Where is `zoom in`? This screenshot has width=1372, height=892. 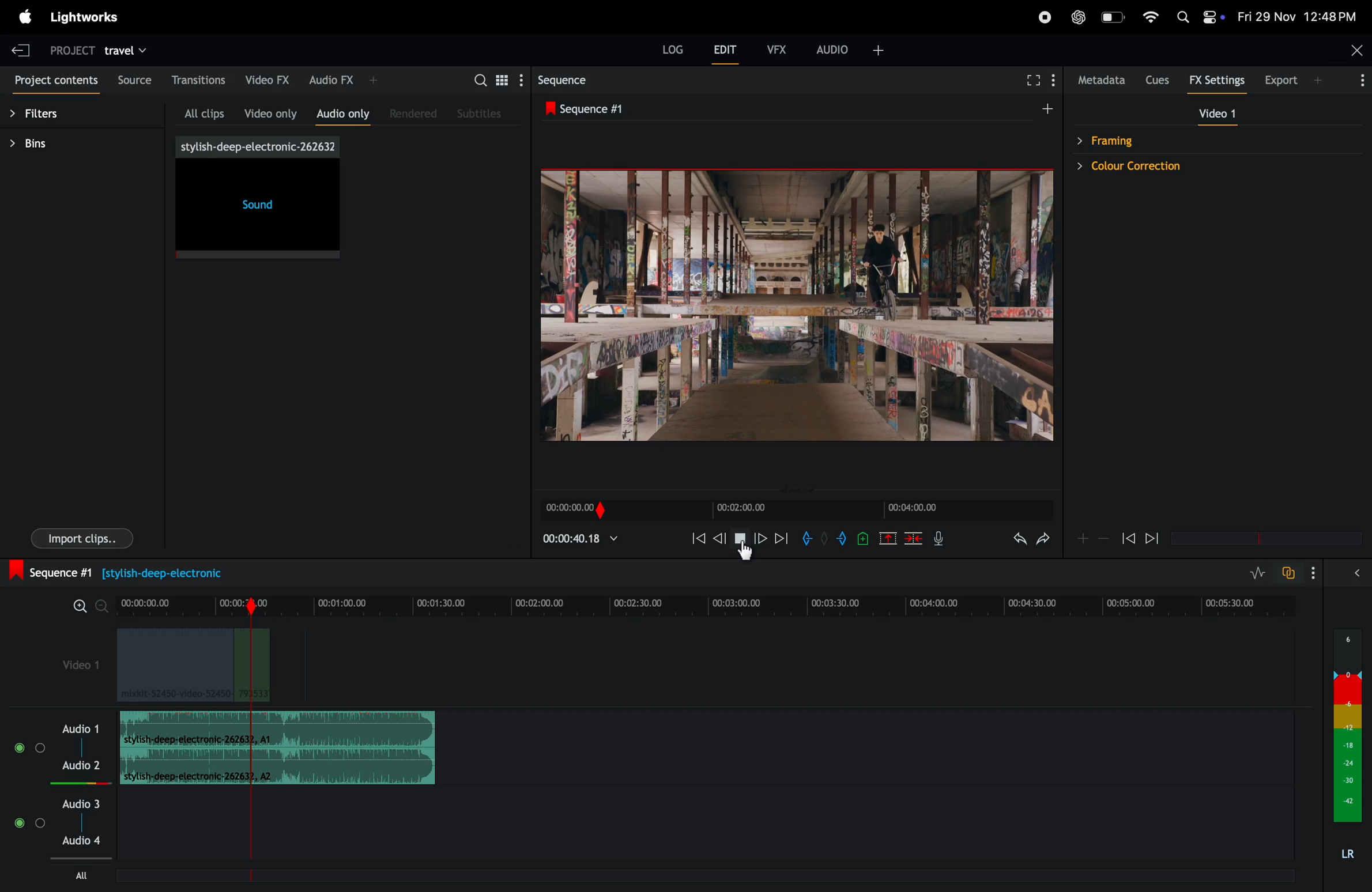 zoom in is located at coordinates (1084, 538).